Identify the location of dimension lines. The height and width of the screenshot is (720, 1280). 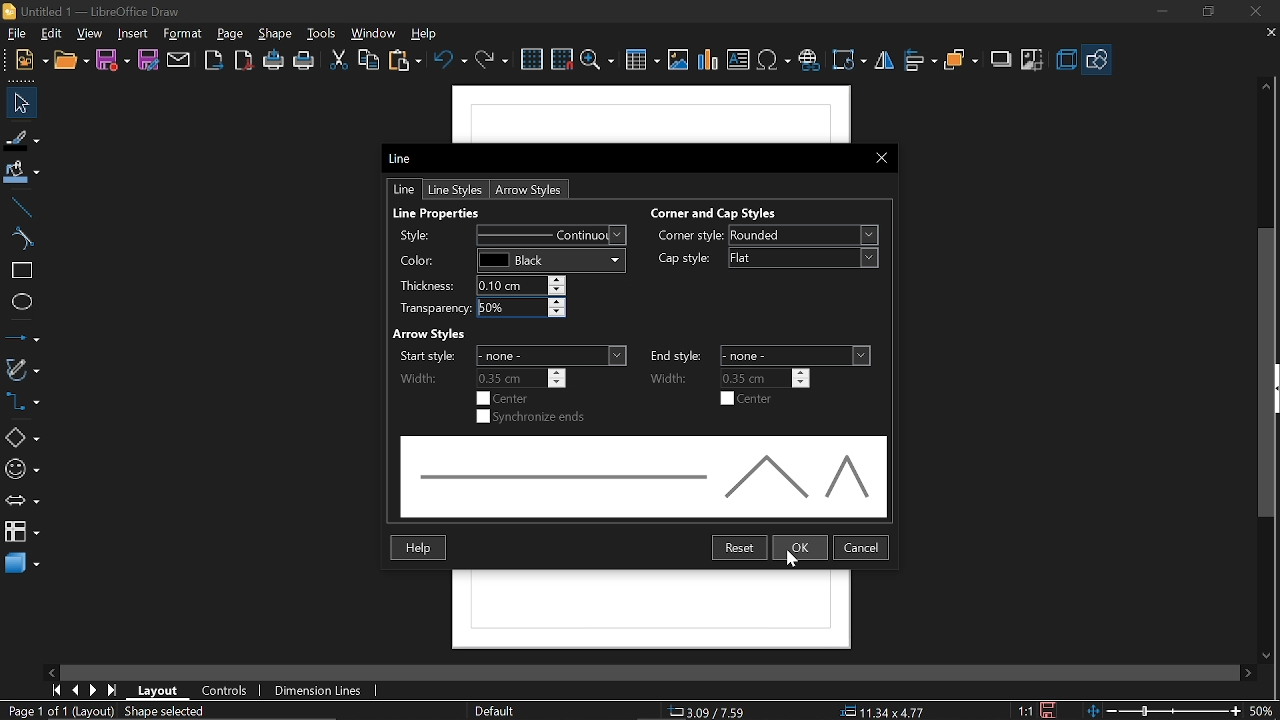
(320, 691).